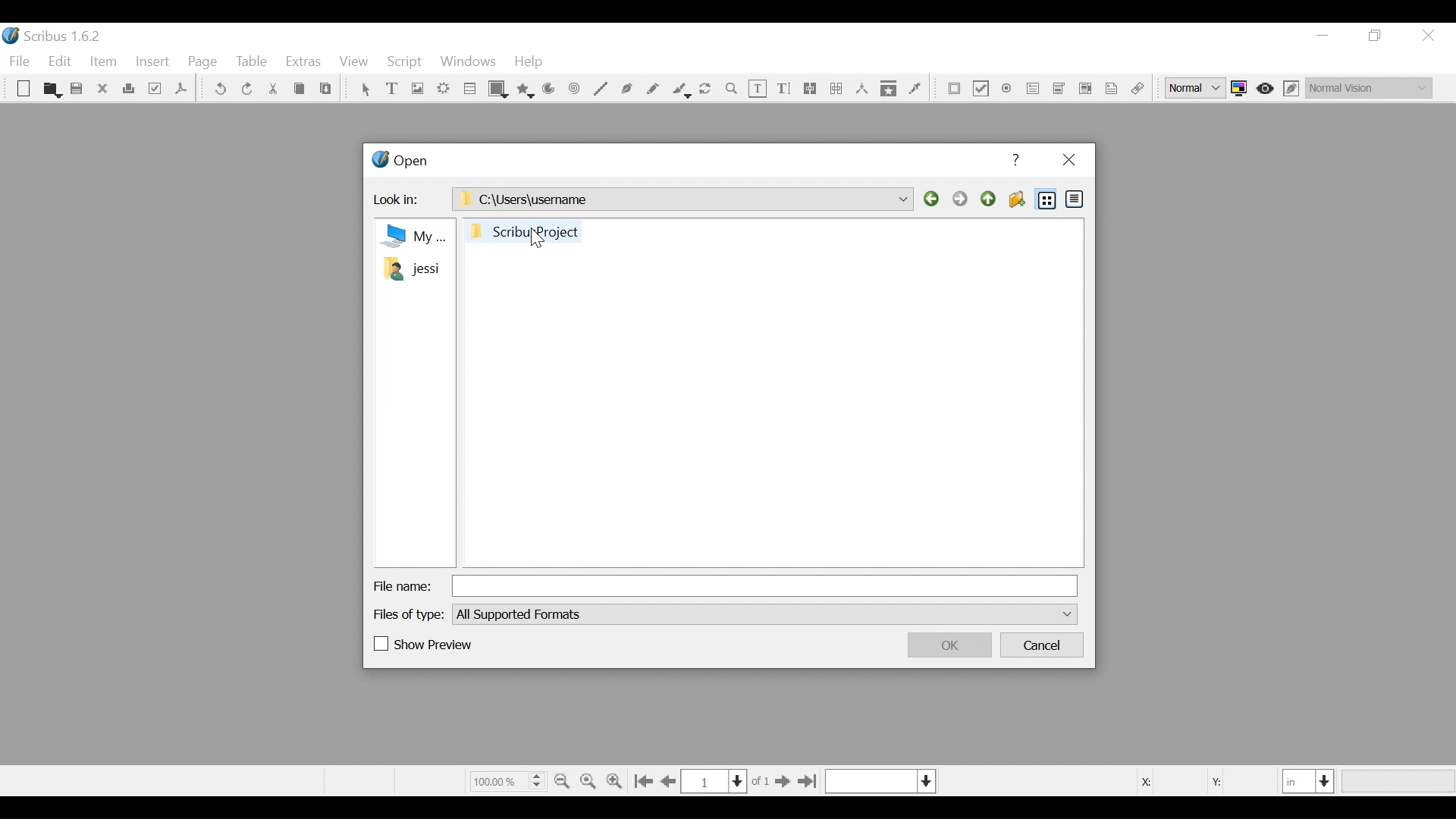 The height and width of the screenshot is (819, 1456). I want to click on Windows, so click(468, 63).